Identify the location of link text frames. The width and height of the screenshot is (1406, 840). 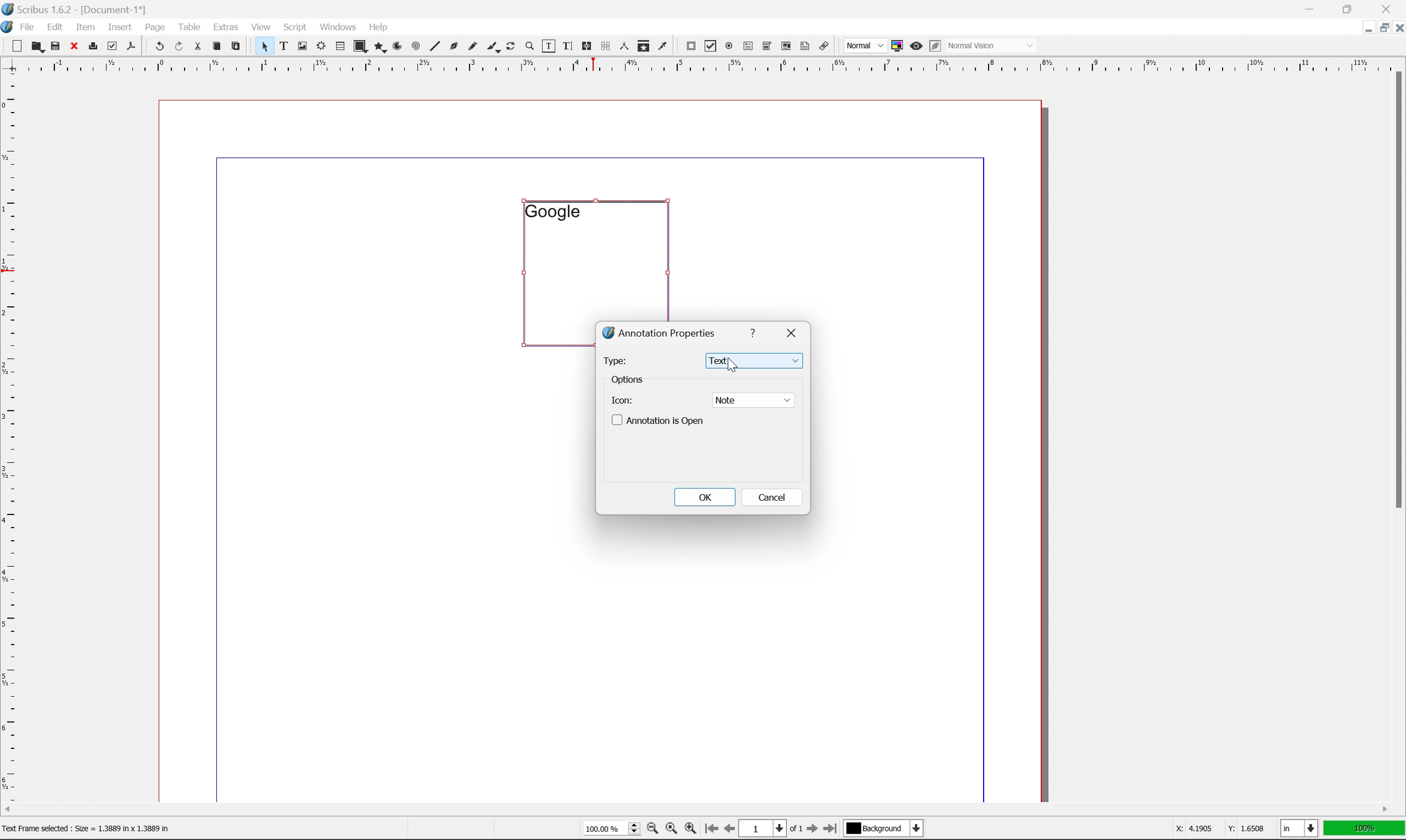
(585, 46).